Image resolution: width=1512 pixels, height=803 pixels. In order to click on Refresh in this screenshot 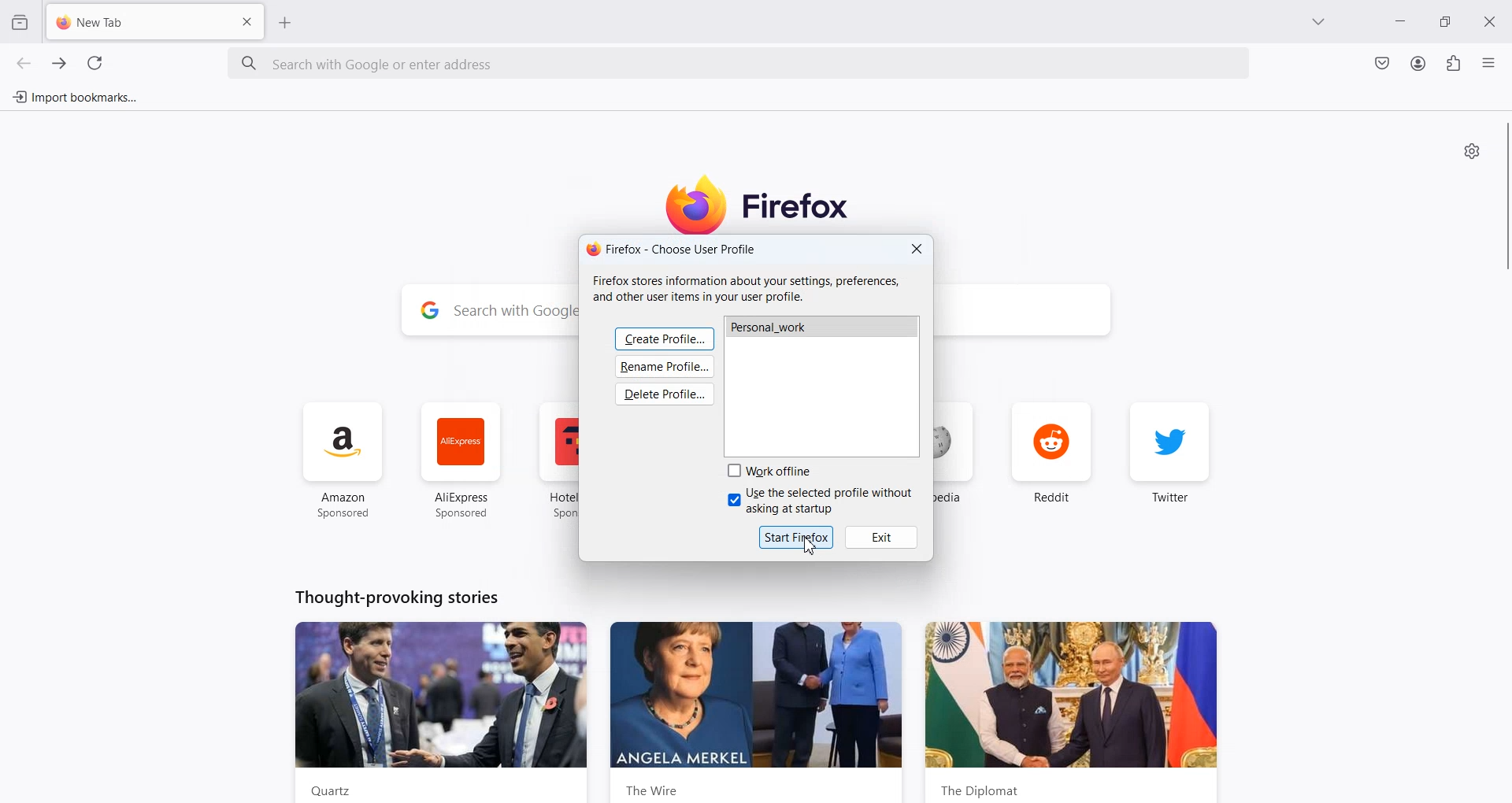, I will do `click(94, 64)`.